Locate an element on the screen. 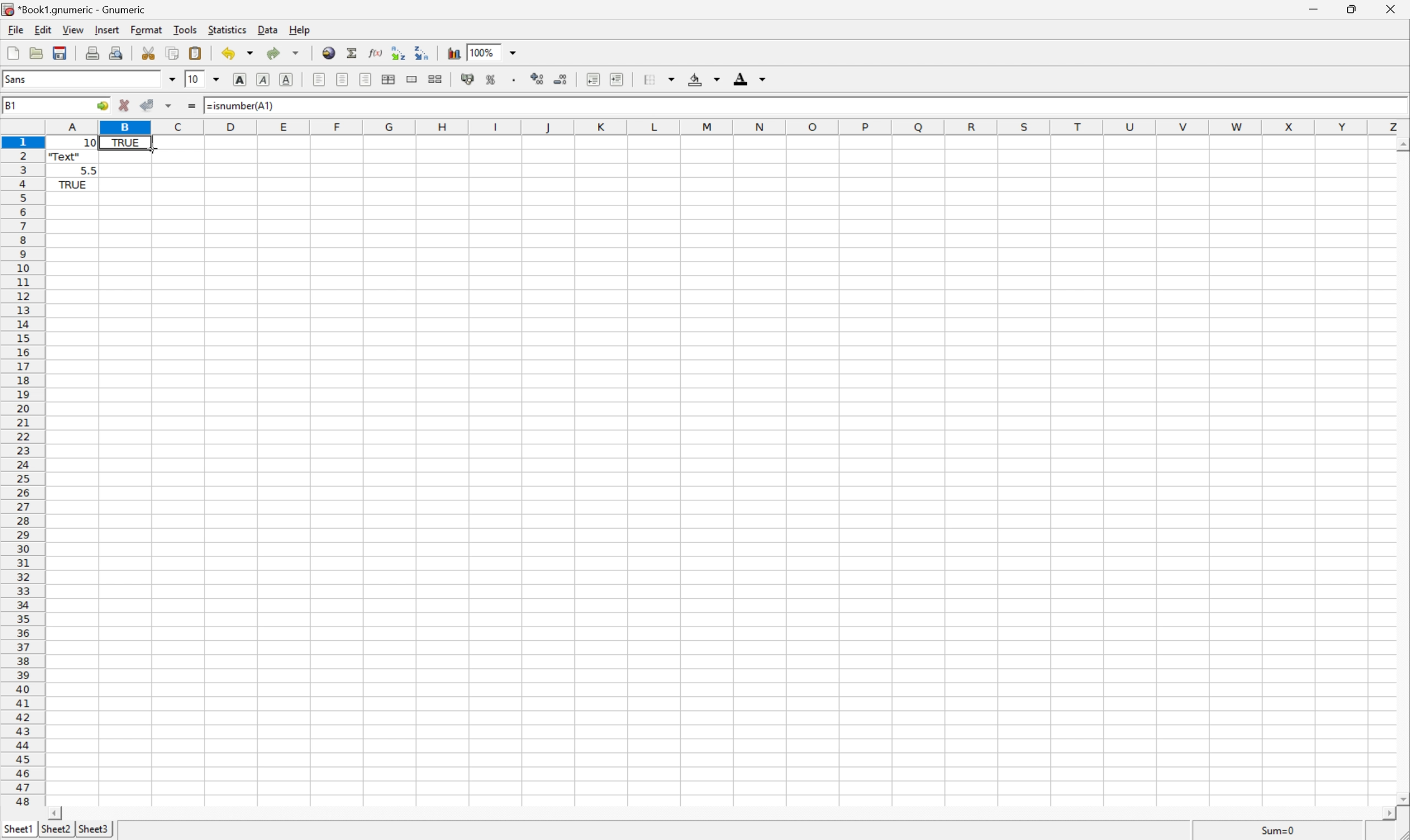 This screenshot has width=1410, height=840. Edit is located at coordinates (42, 29).